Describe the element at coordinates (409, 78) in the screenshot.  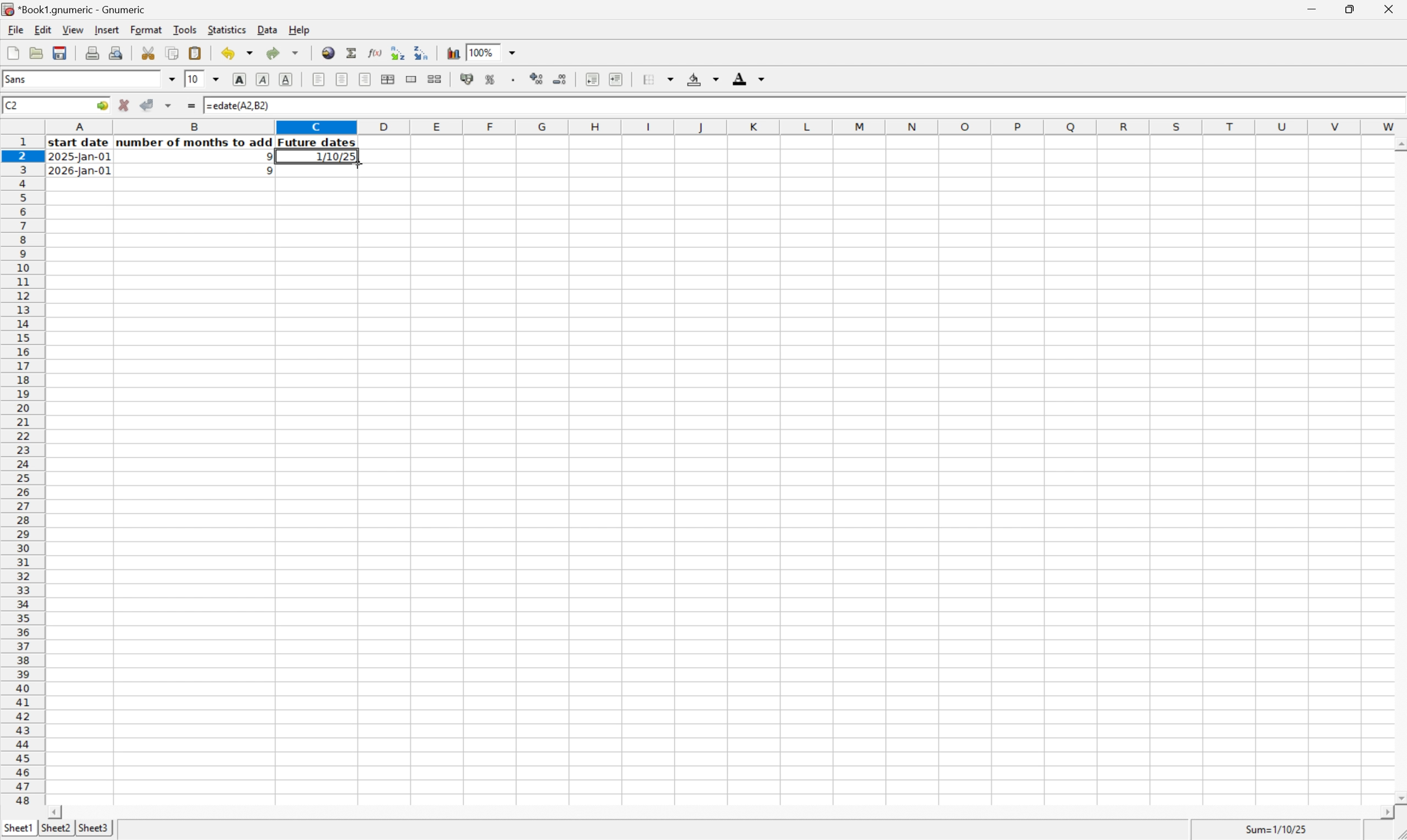
I see `Merge a range of cells` at that location.